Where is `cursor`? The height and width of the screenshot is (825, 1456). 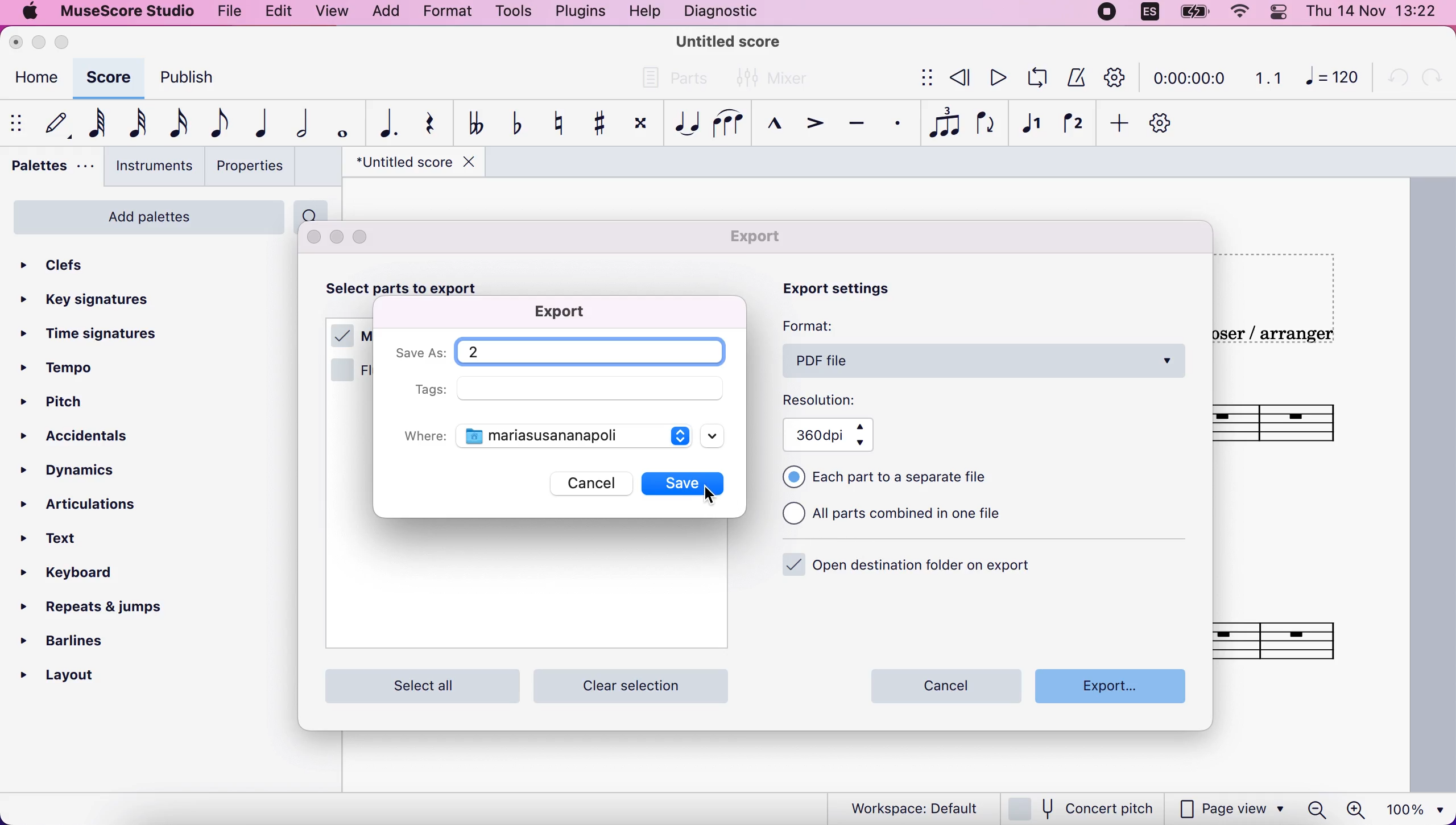
cursor is located at coordinates (713, 495).